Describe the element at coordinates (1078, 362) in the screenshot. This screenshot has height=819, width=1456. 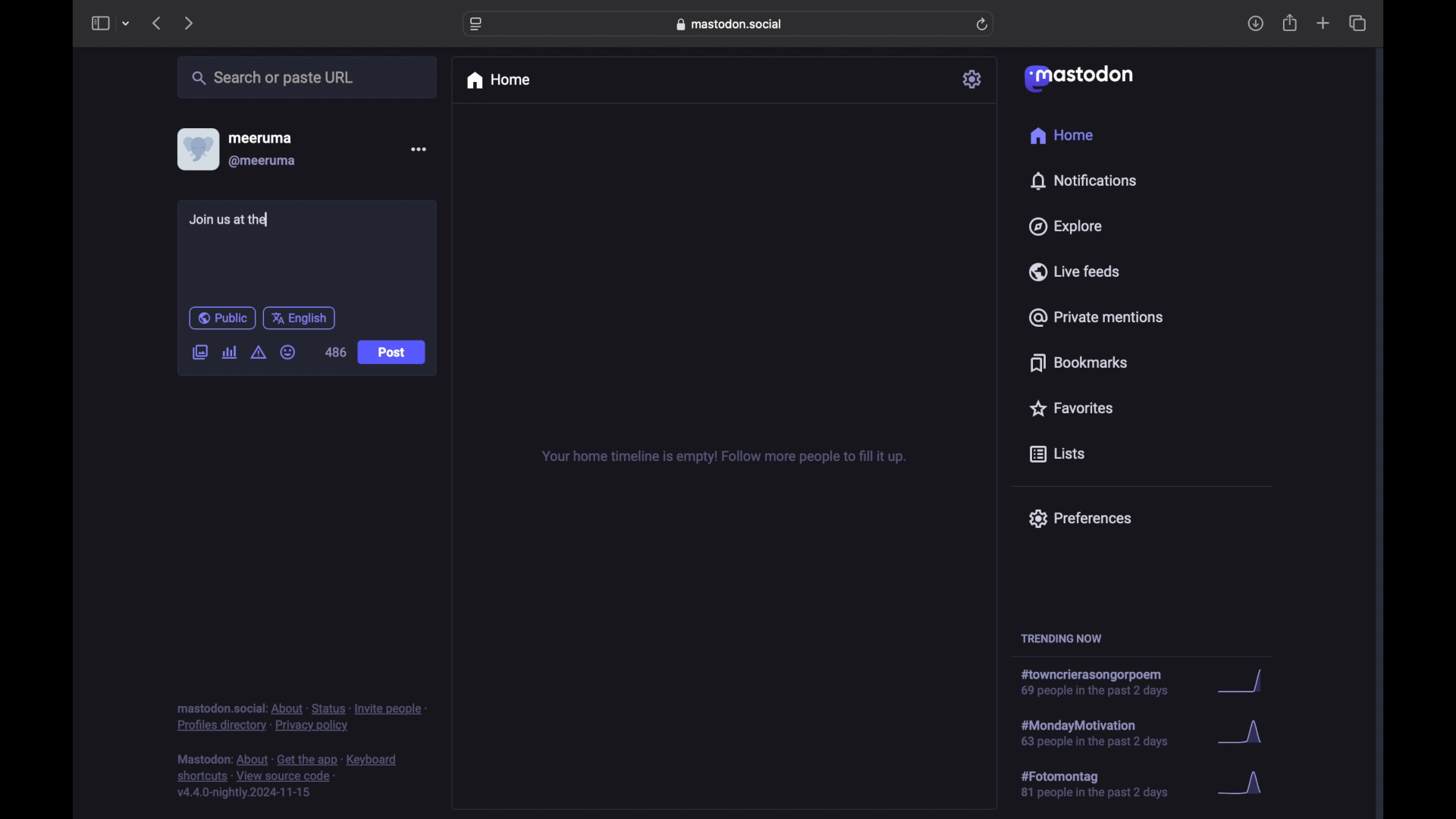
I see `bookmarks` at that location.